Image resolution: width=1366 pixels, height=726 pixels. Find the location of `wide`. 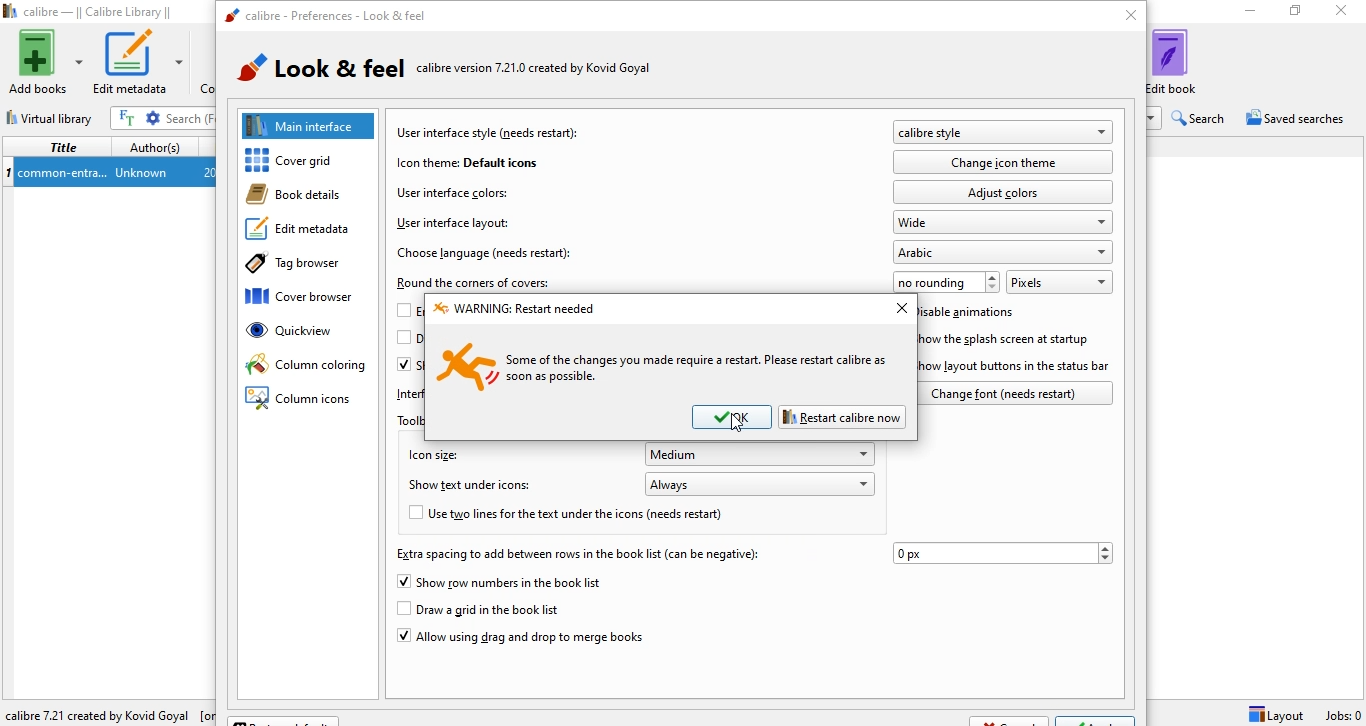

wide is located at coordinates (1004, 222).